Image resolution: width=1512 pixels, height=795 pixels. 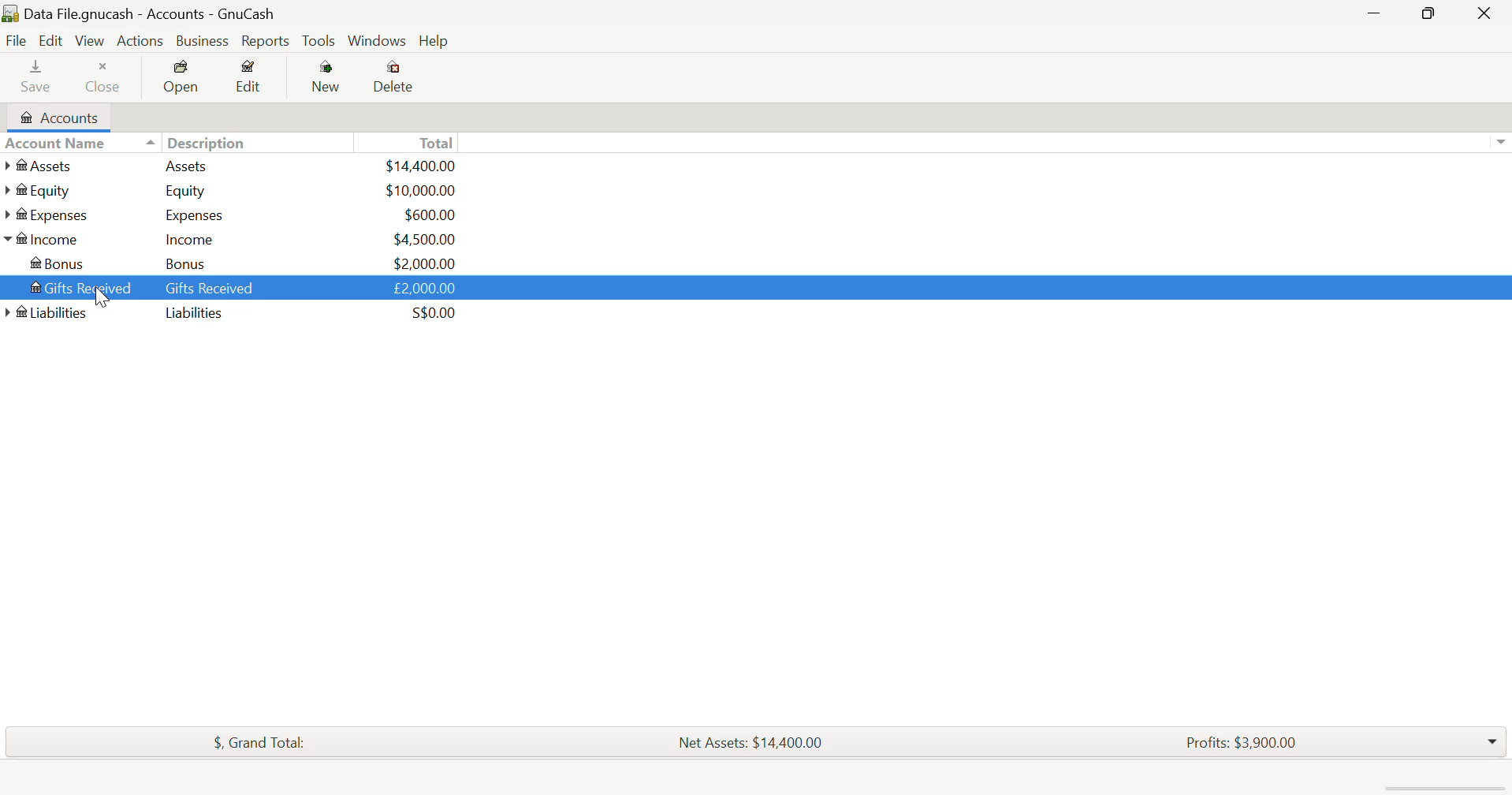 What do you see at coordinates (43, 191) in the screenshot?
I see `Equity` at bounding box center [43, 191].